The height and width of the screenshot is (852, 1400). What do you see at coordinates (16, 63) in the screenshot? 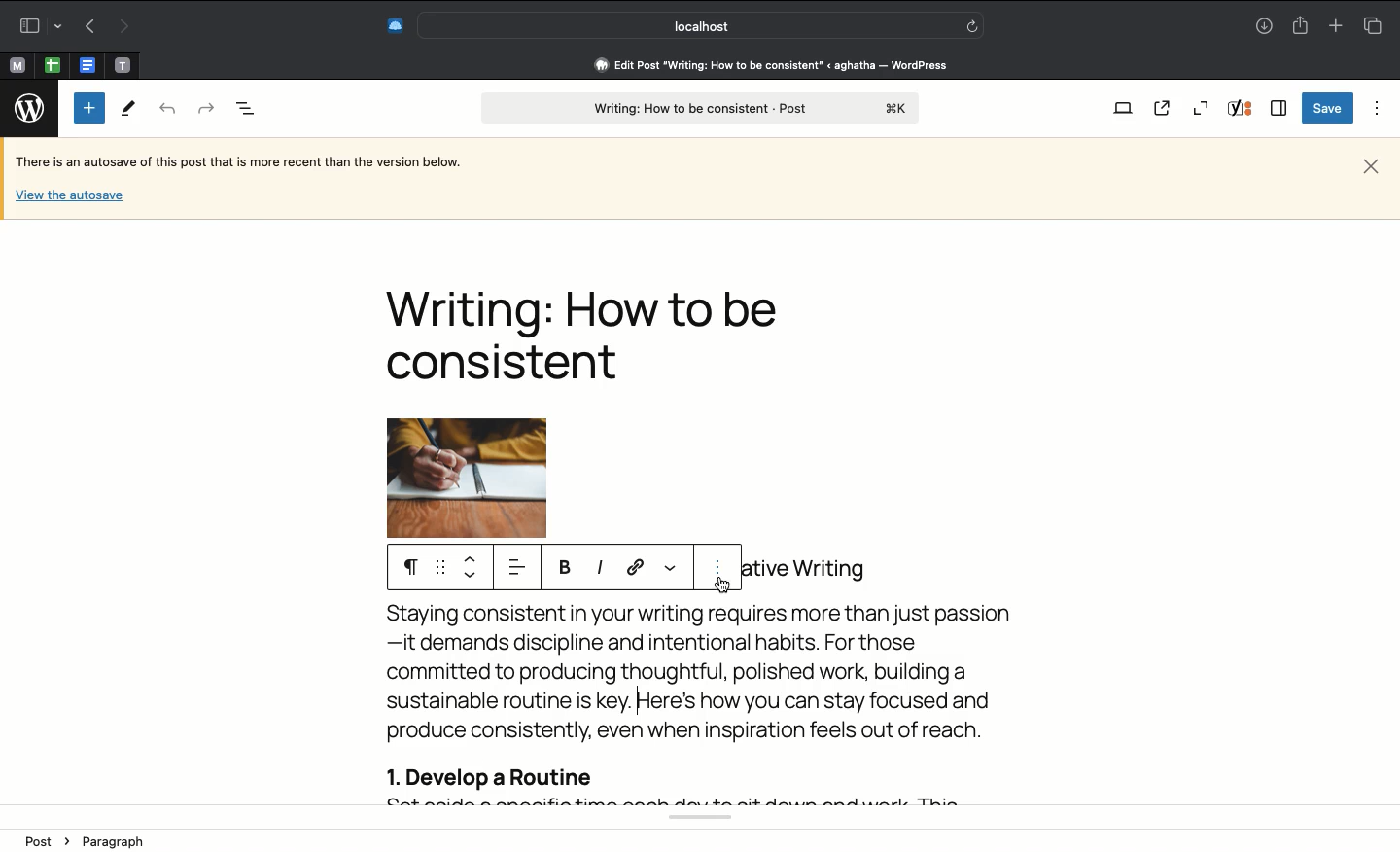
I see `pinned tab` at bounding box center [16, 63].